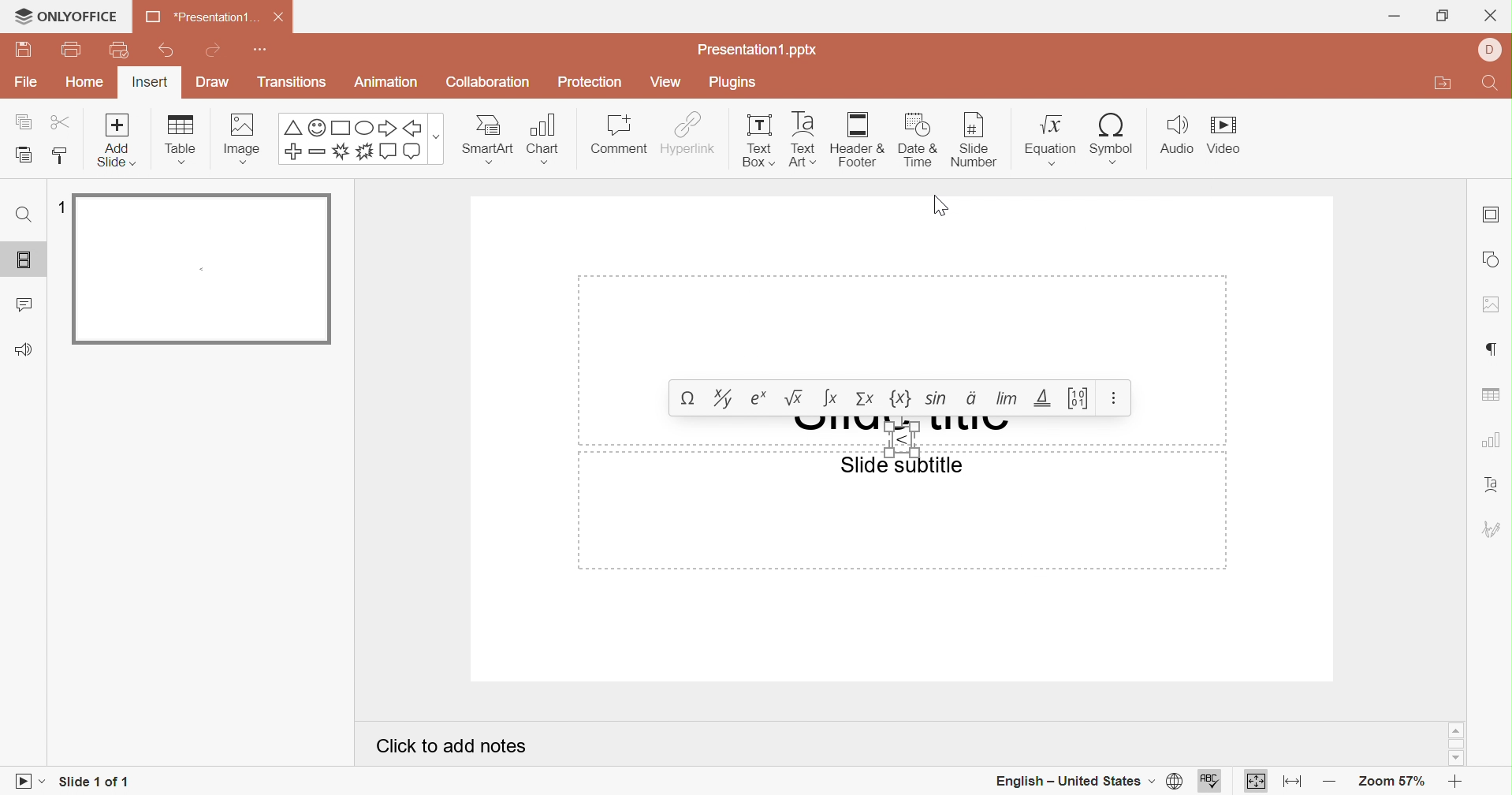 Image resolution: width=1512 pixels, height=795 pixels. I want to click on image settings, so click(1491, 303).